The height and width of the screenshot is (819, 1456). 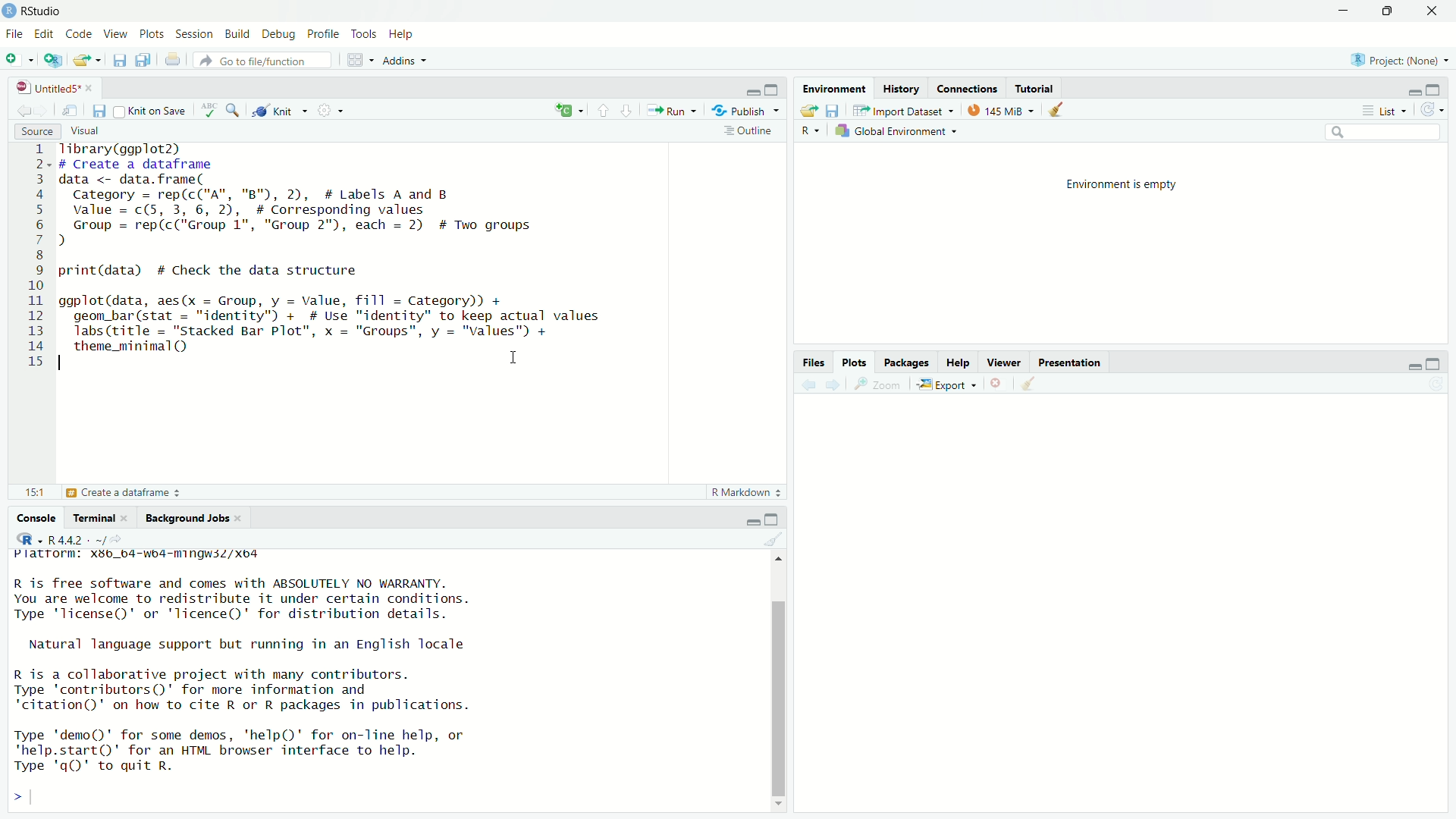 What do you see at coordinates (37, 516) in the screenshot?
I see `Console` at bounding box center [37, 516].